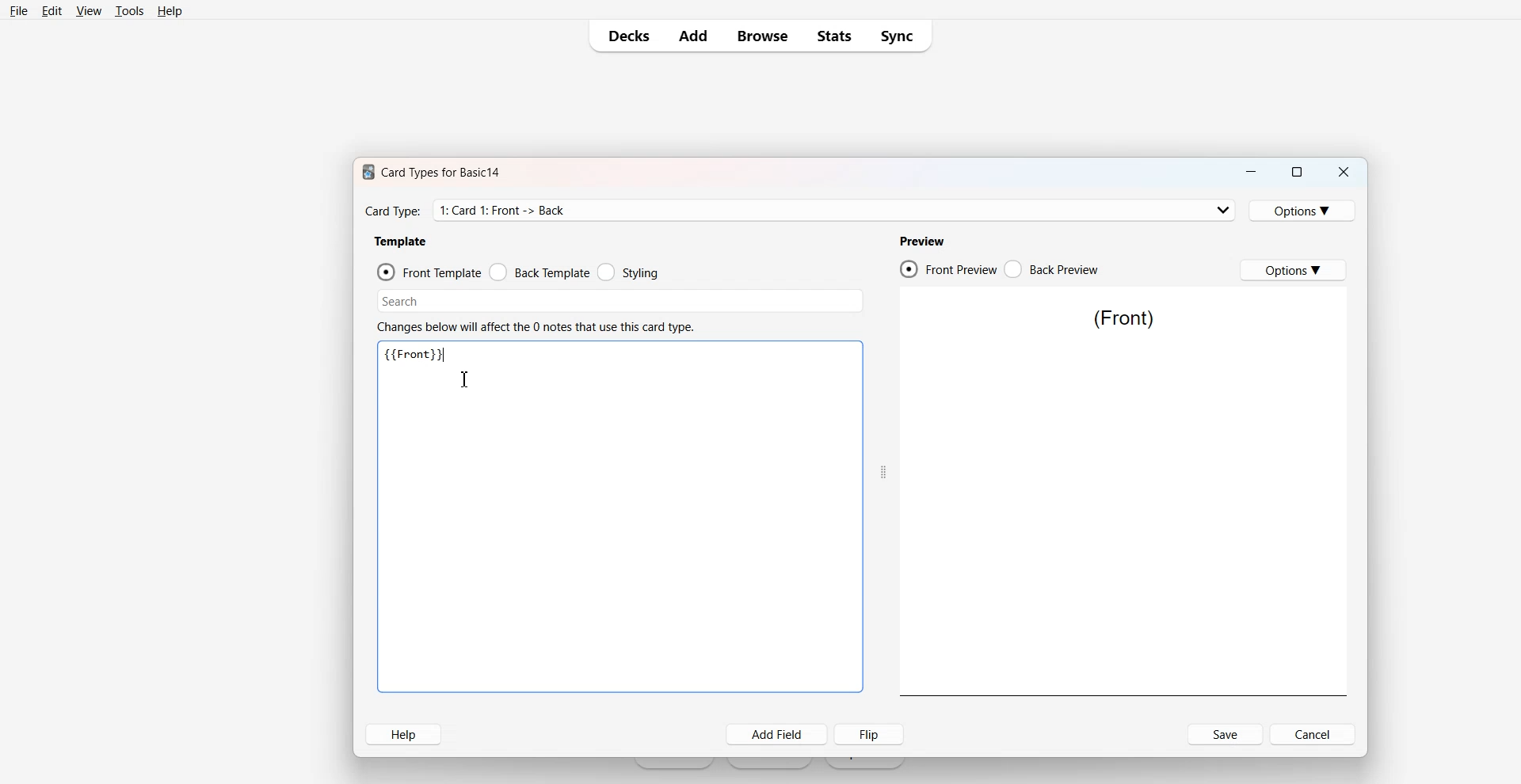  I want to click on Text, so click(441, 172).